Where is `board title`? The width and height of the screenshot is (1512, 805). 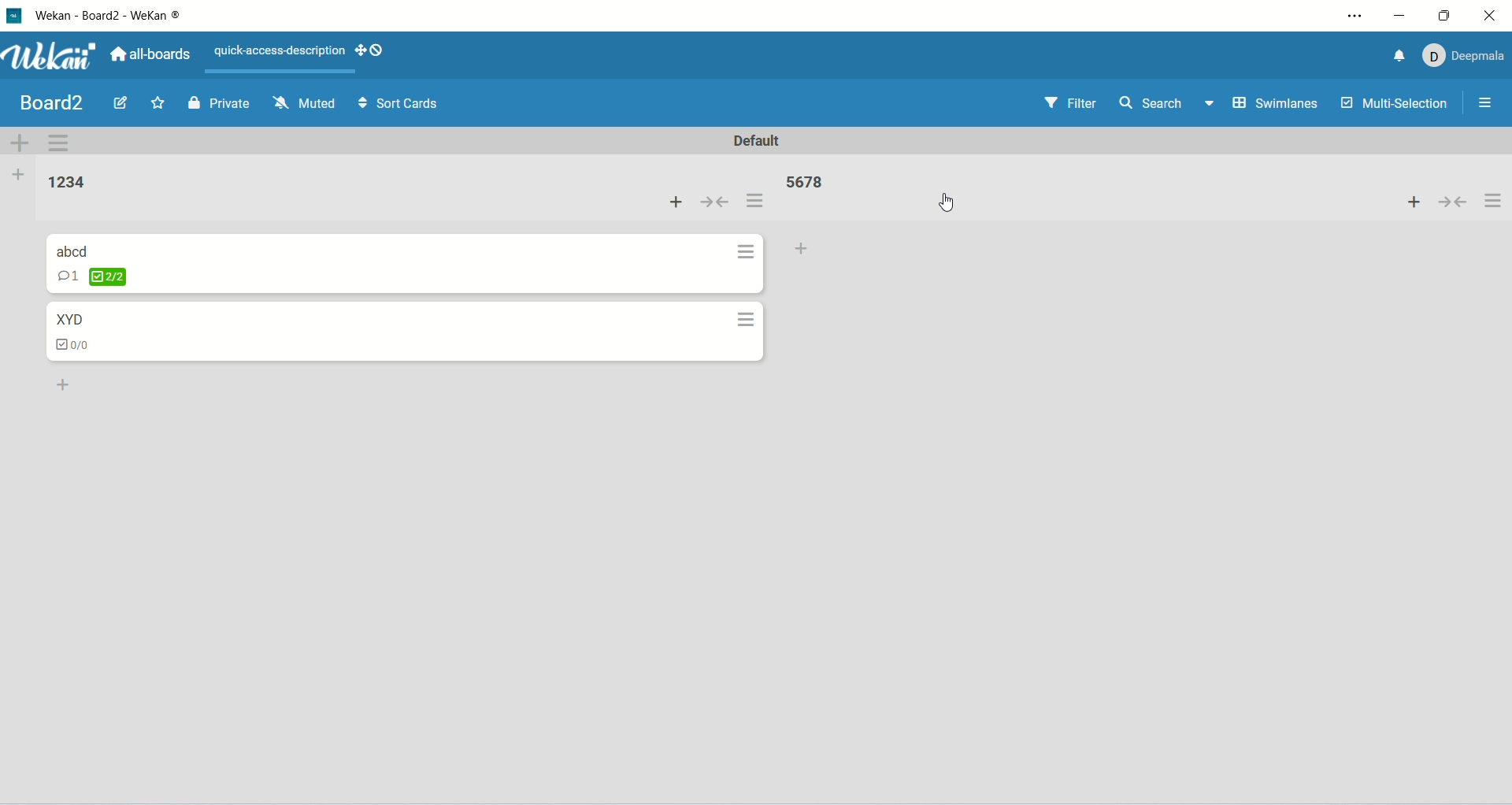 board title is located at coordinates (48, 102).